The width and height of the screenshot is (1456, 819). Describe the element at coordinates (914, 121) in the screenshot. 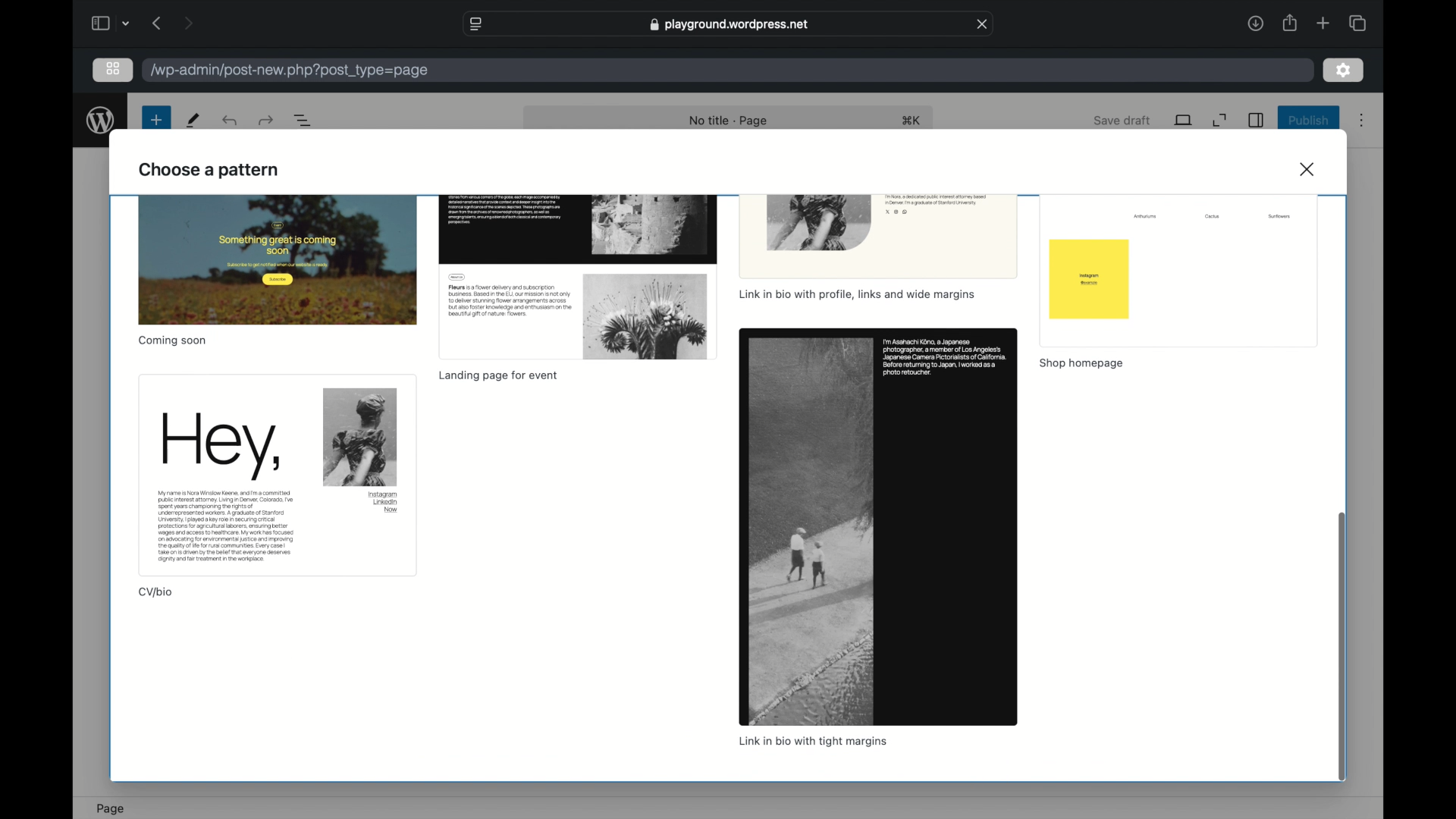

I see `shortcut` at that location.